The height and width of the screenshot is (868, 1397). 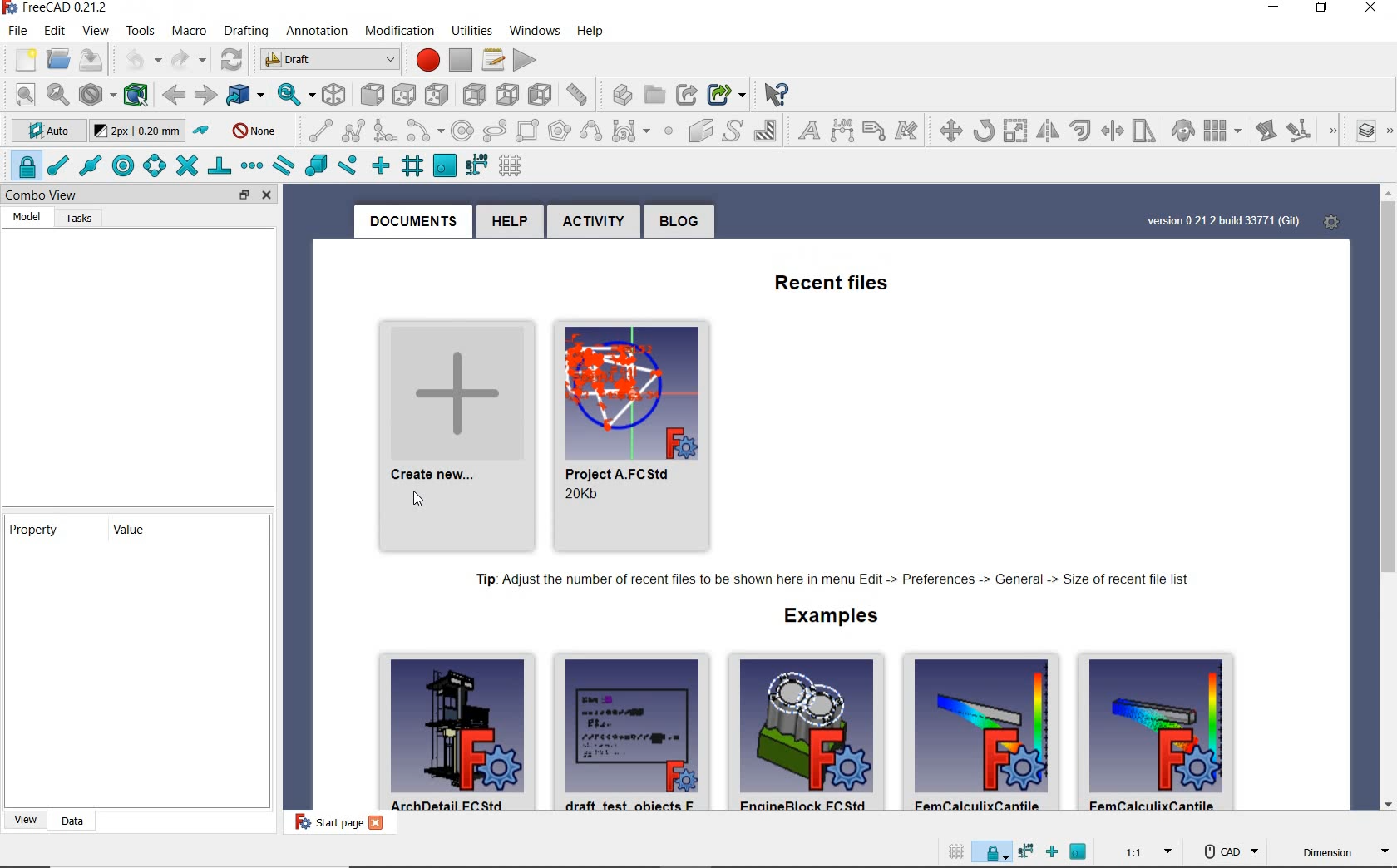 I want to click on mirror, so click(x=1046, y=131).